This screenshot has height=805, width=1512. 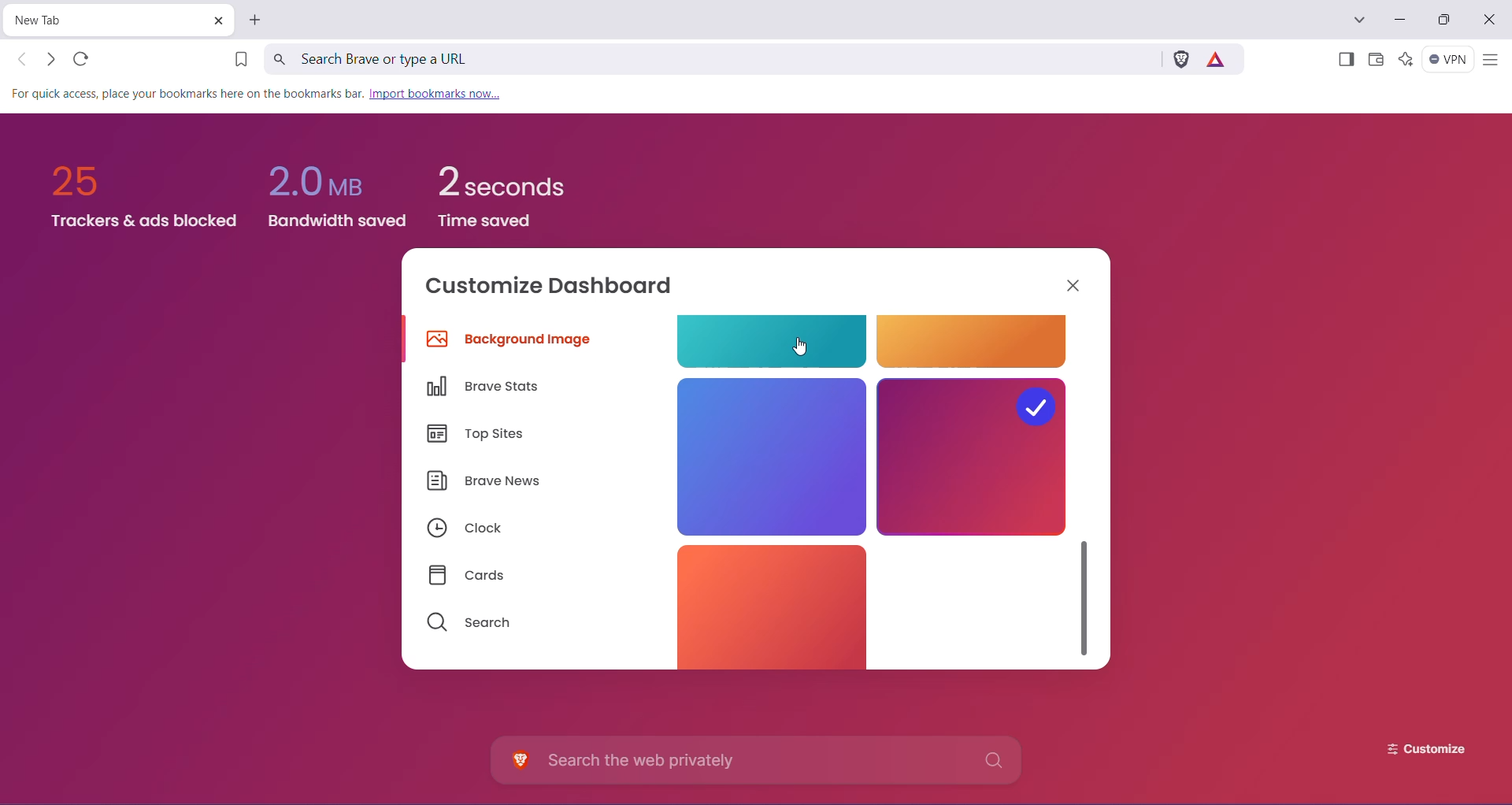 What do you see at coordinates (1086, 593) in the screenshot?
I see `Vertical Scroll Bar` at bounding box center [1086, 593].